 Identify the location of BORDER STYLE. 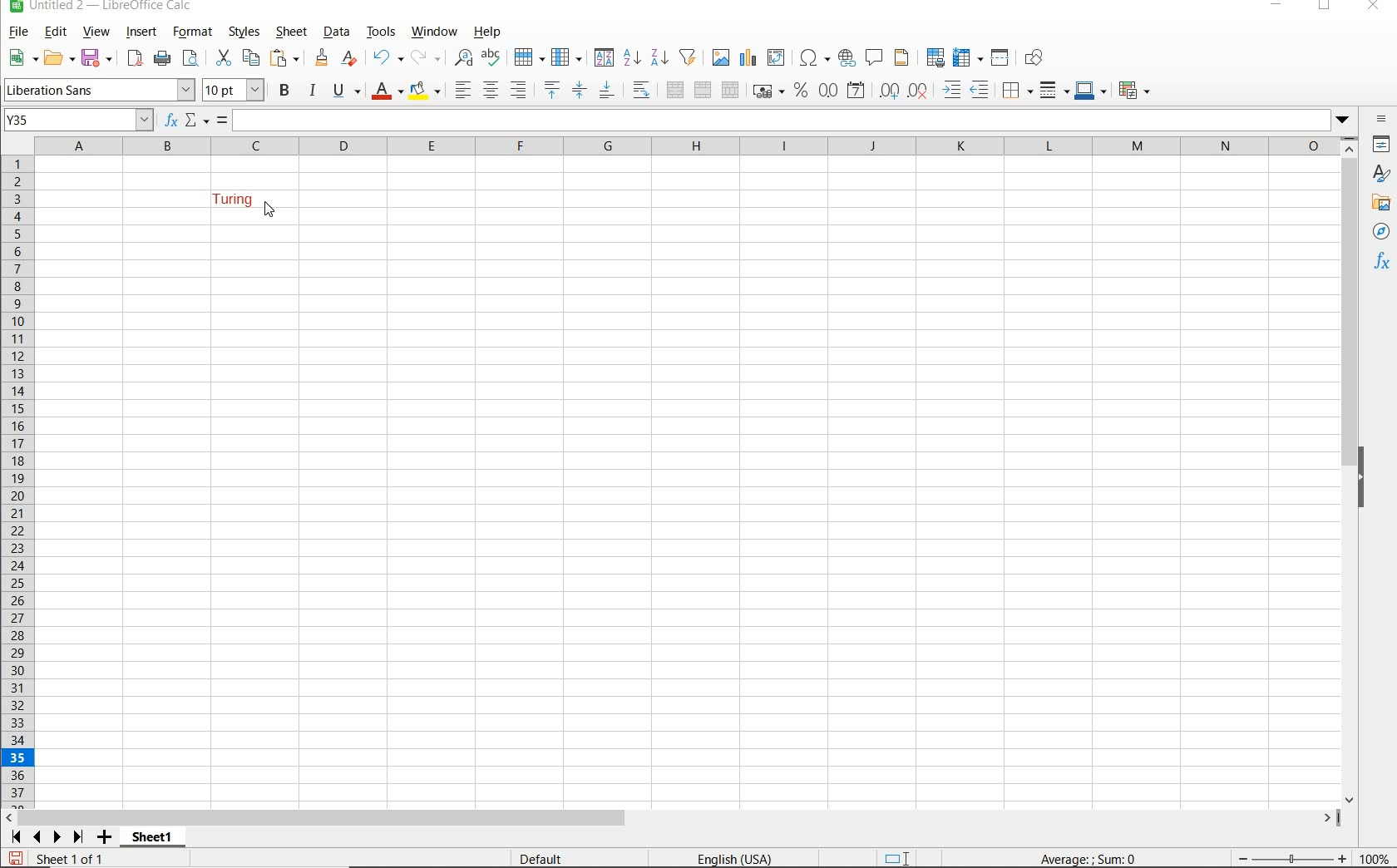
(1054, 91).